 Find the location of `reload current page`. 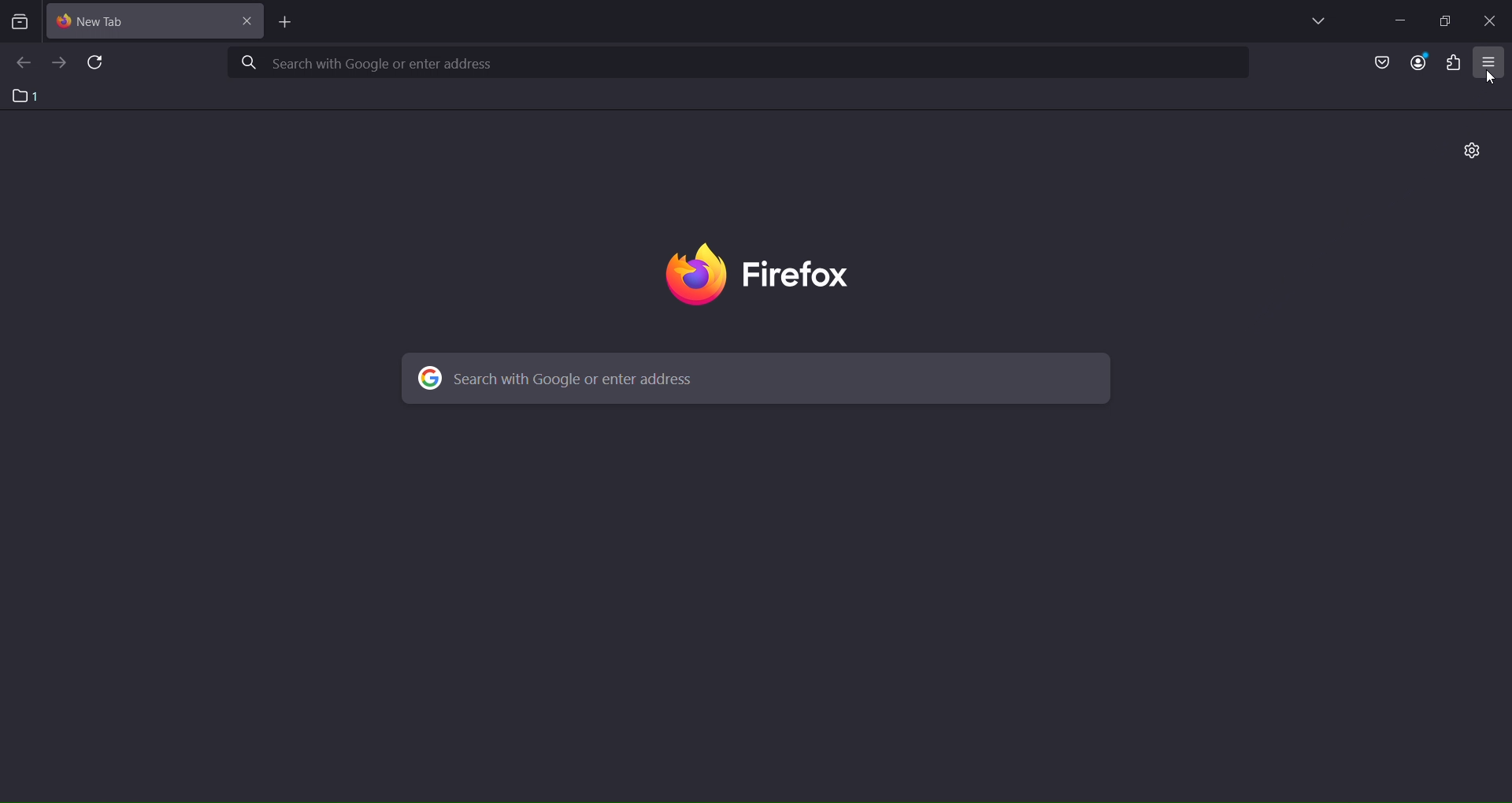

reload current page is located at coordinates (101, 62).